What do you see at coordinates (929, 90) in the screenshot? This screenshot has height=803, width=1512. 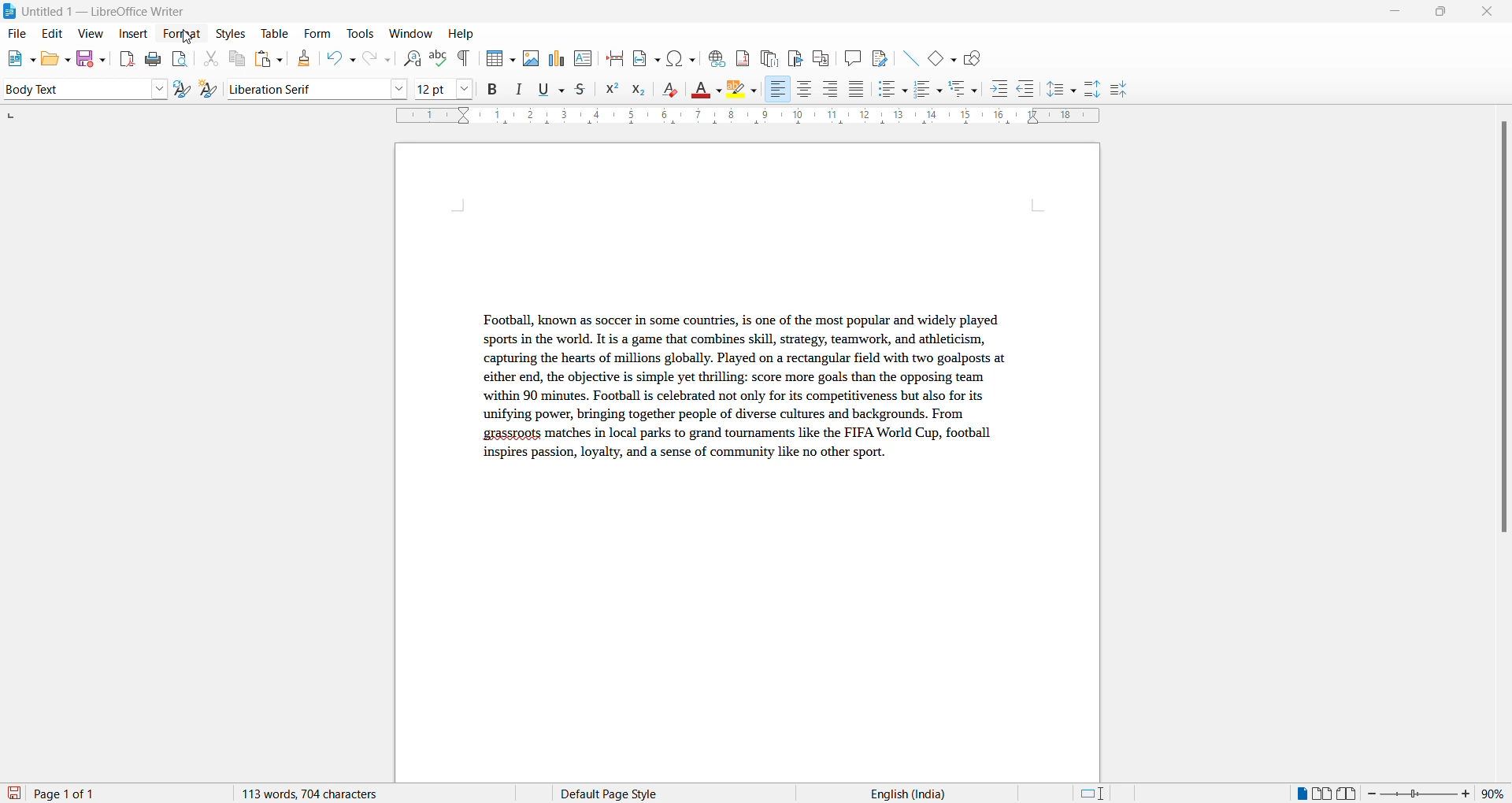 I see `toggle ordered list` at bounding box center [929, 90].